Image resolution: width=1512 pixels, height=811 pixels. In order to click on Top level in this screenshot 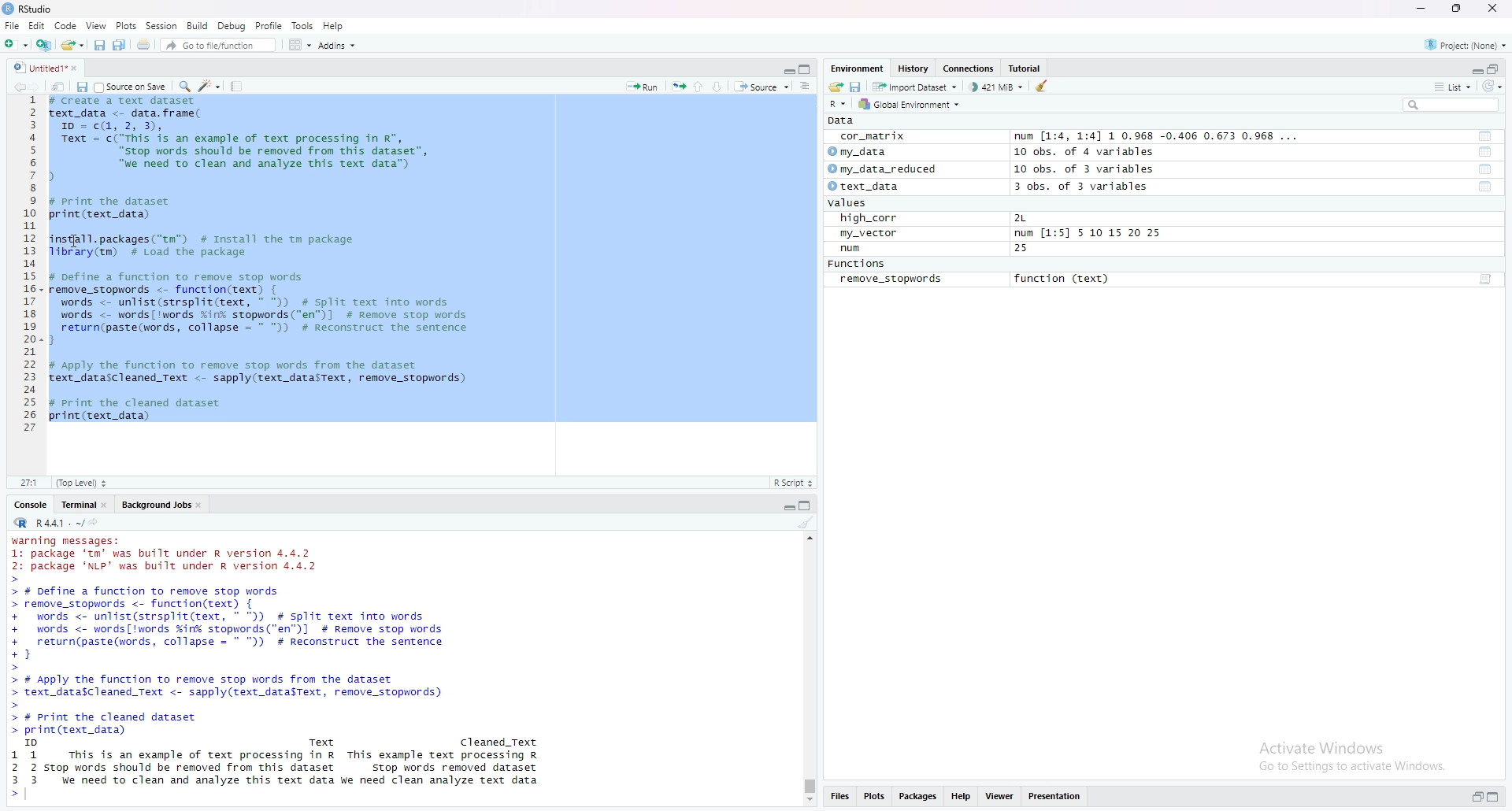, I will do `click(82, 482)`.